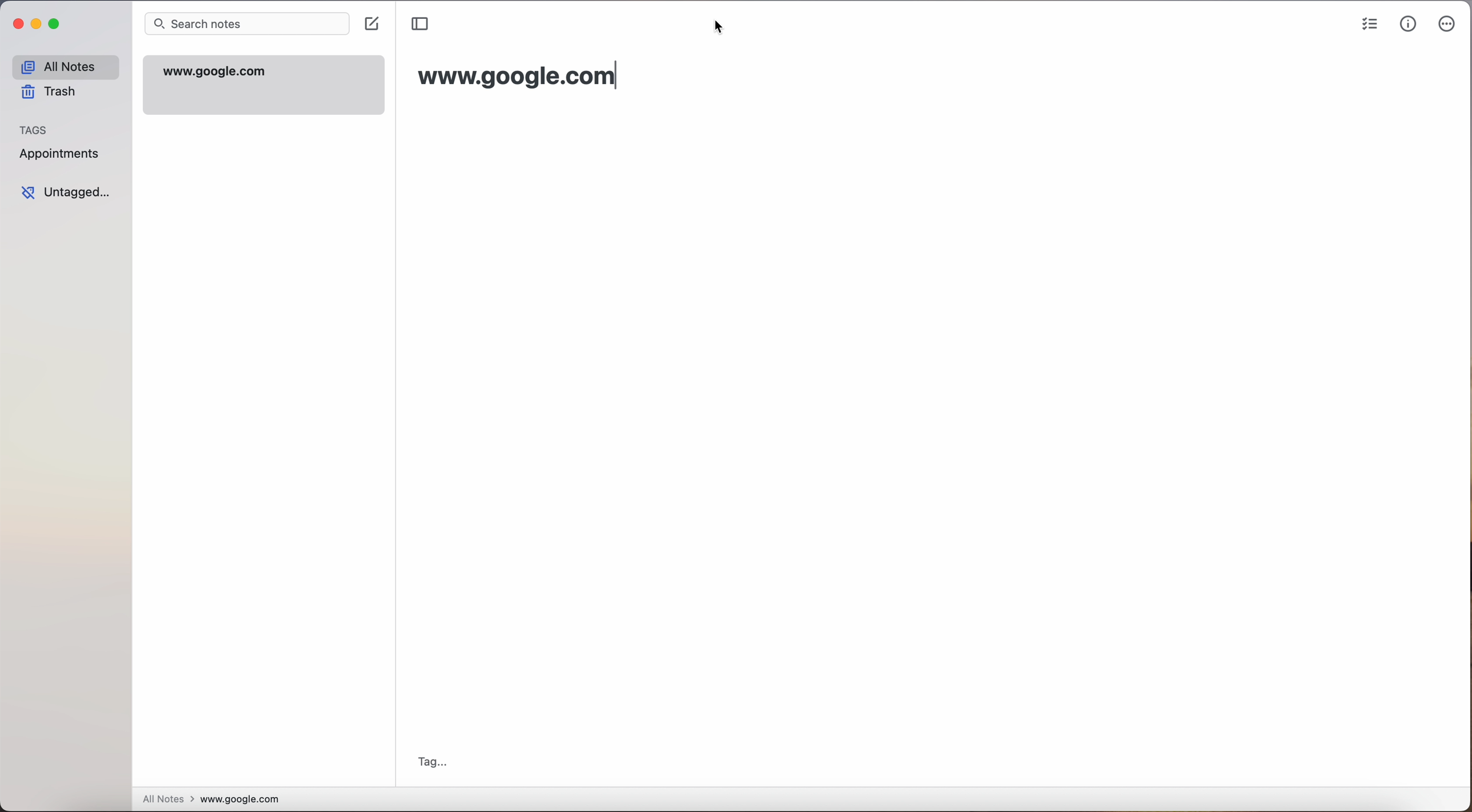 The width and height of the screenshot is (1472, 812). I want to click on tags, so click(37, 129).